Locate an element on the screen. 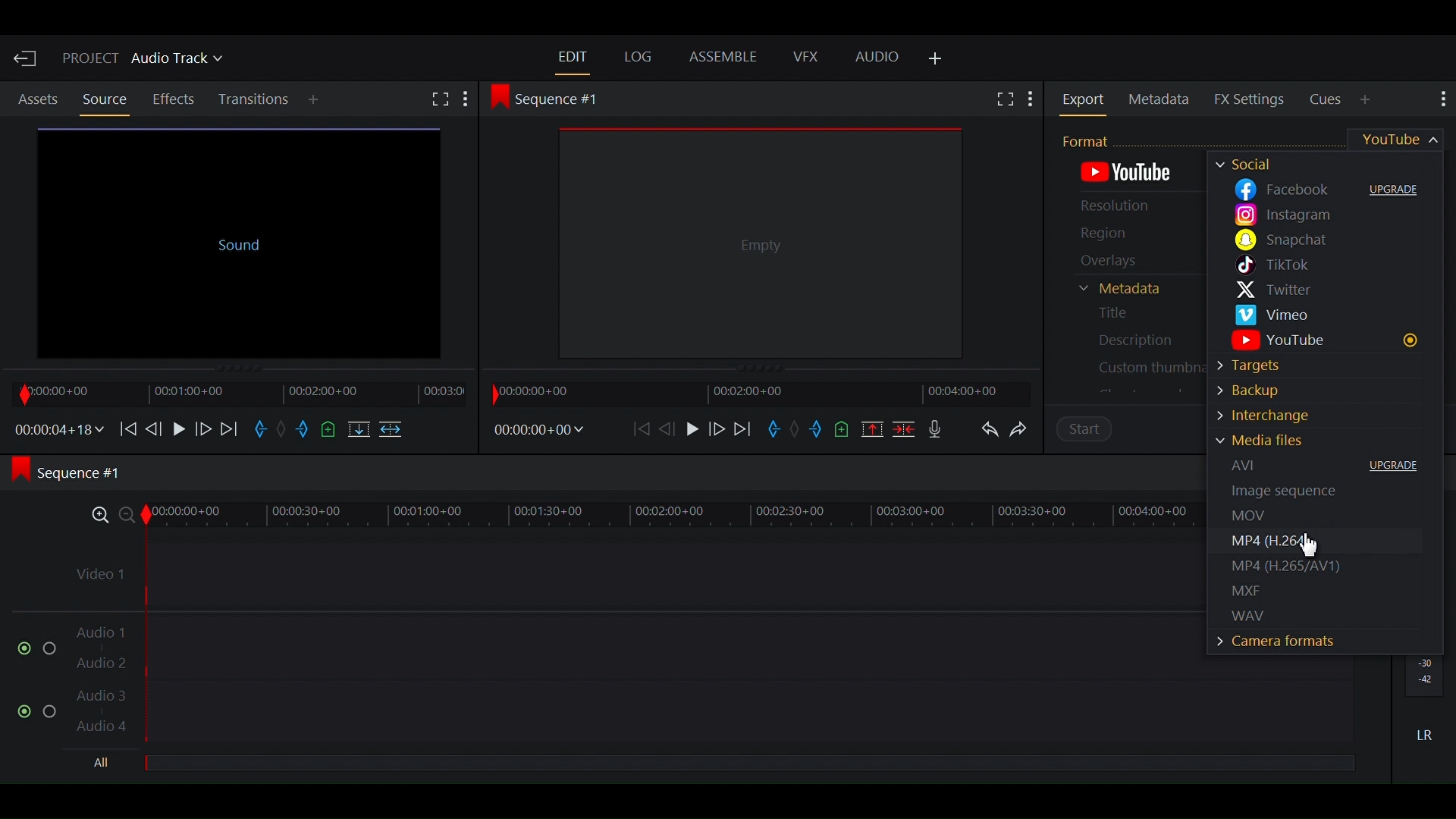 The image size is (1456, 819). Targets is located at coordinates (1321, 366).